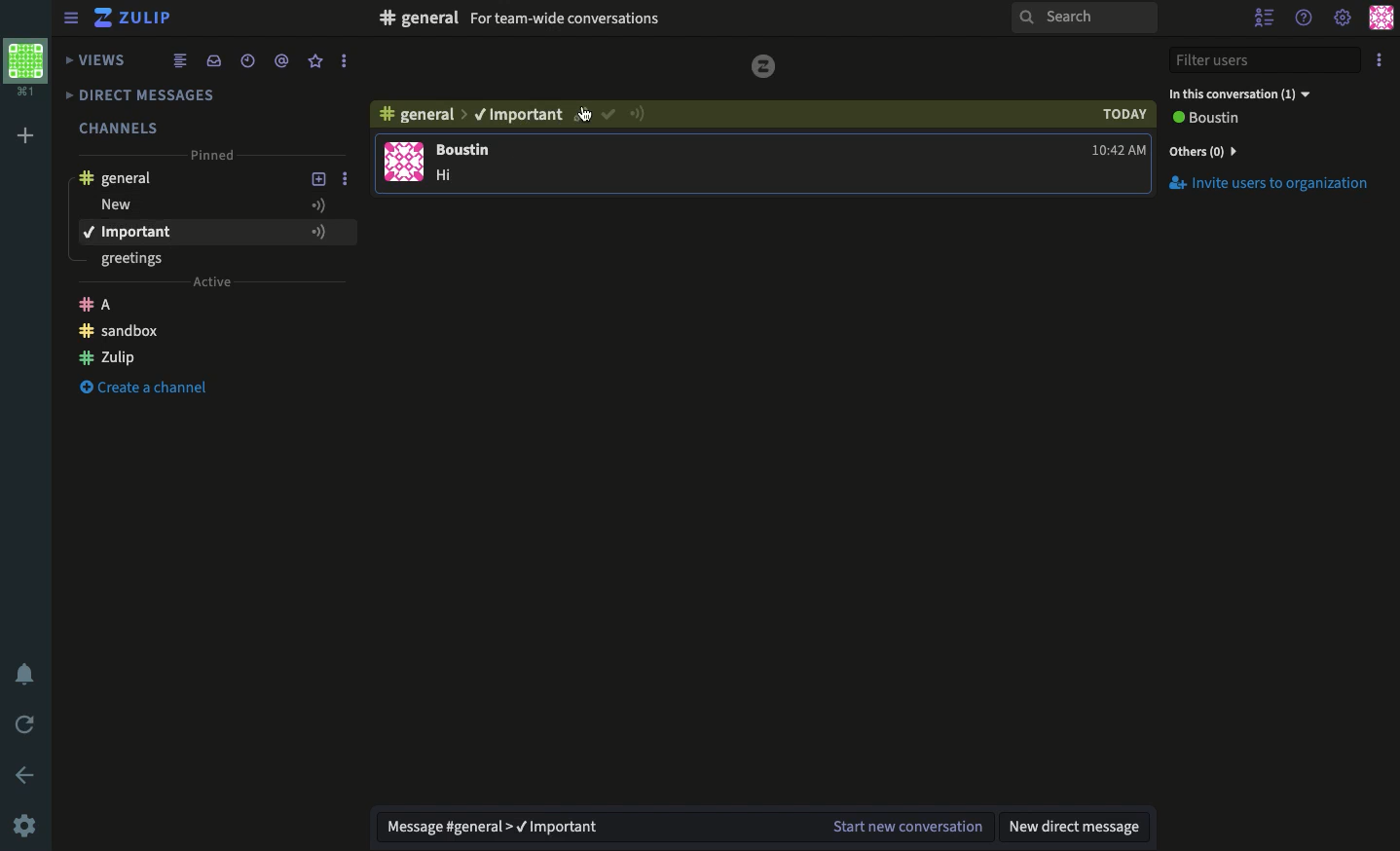 The width and height of the screenshot is (1400, 851). I want to click on greetings - topic, so click(141, 261).